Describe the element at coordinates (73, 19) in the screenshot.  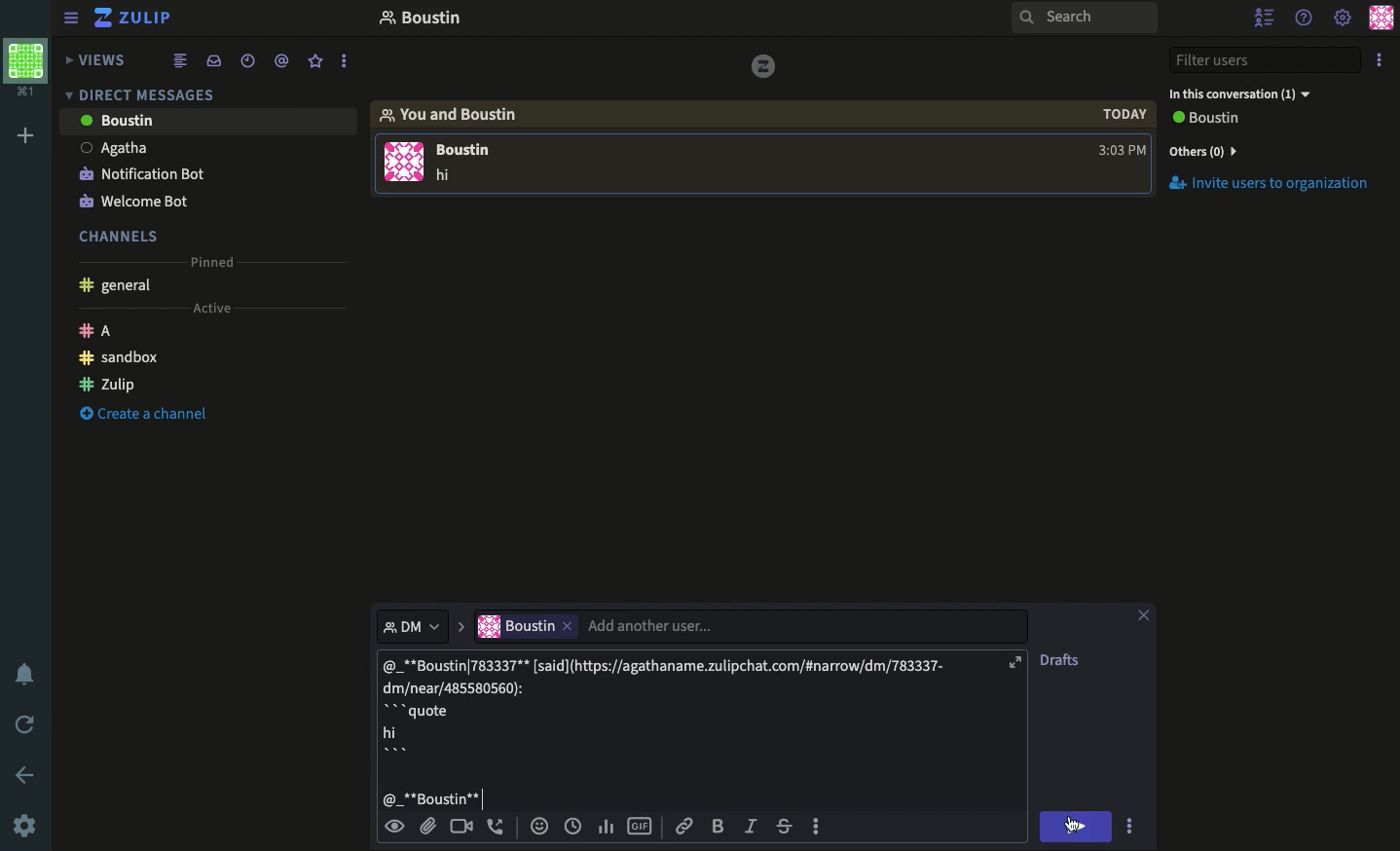
I see `Collapse menu` at that location.